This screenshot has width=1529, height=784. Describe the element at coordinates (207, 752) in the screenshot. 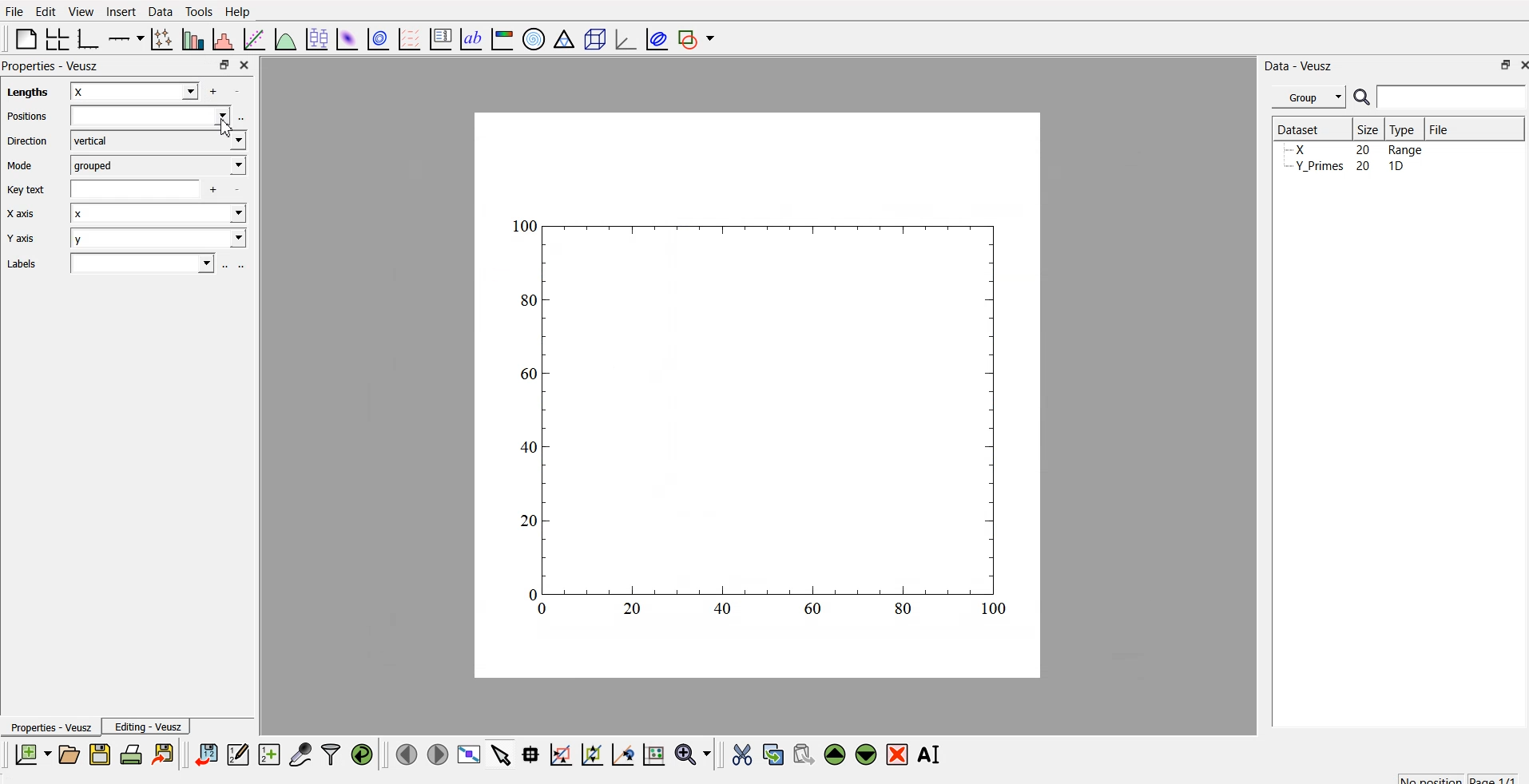

I see `import data` at that location.